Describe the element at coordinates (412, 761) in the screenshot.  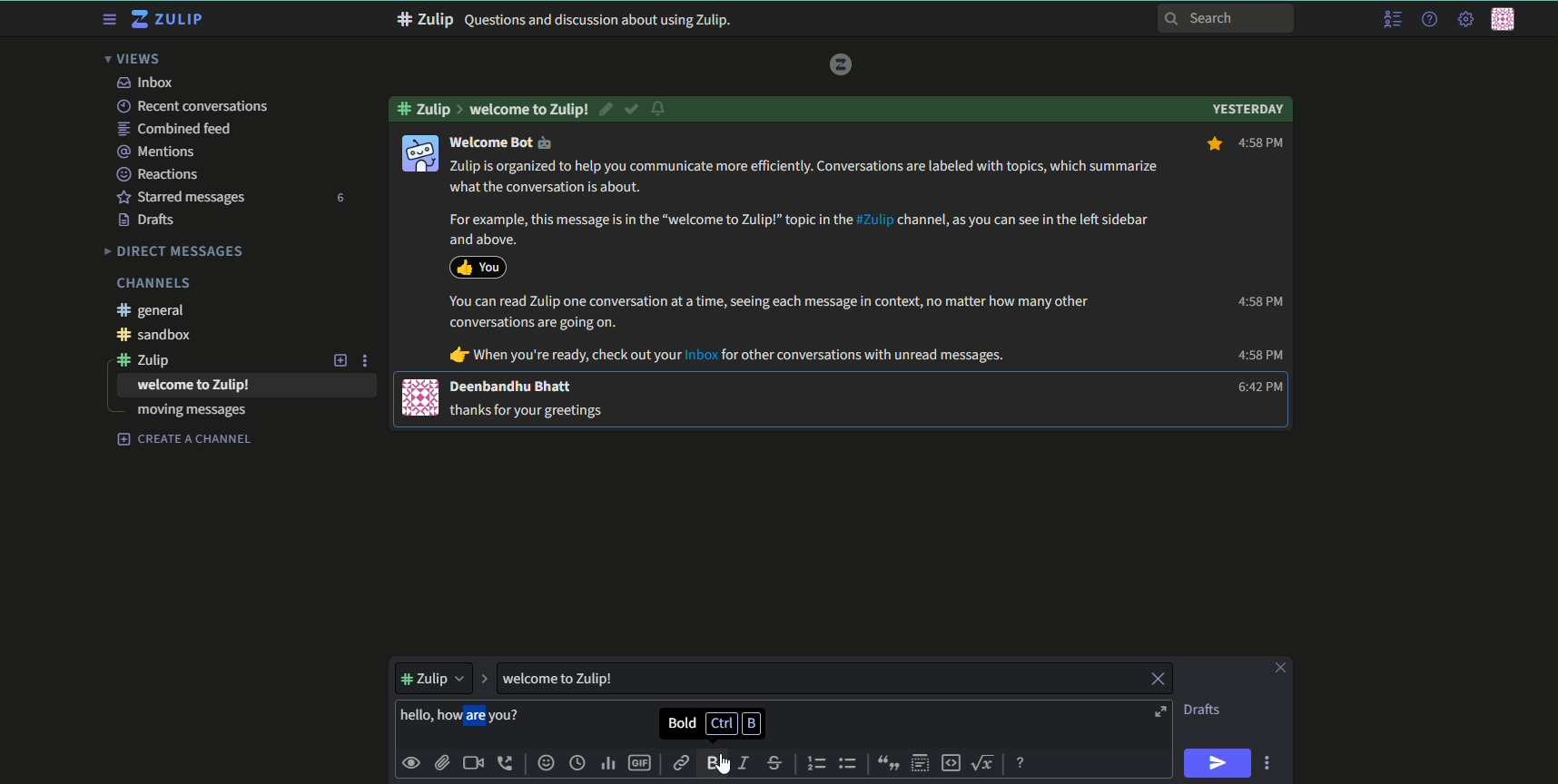
I see `preview` at that location.